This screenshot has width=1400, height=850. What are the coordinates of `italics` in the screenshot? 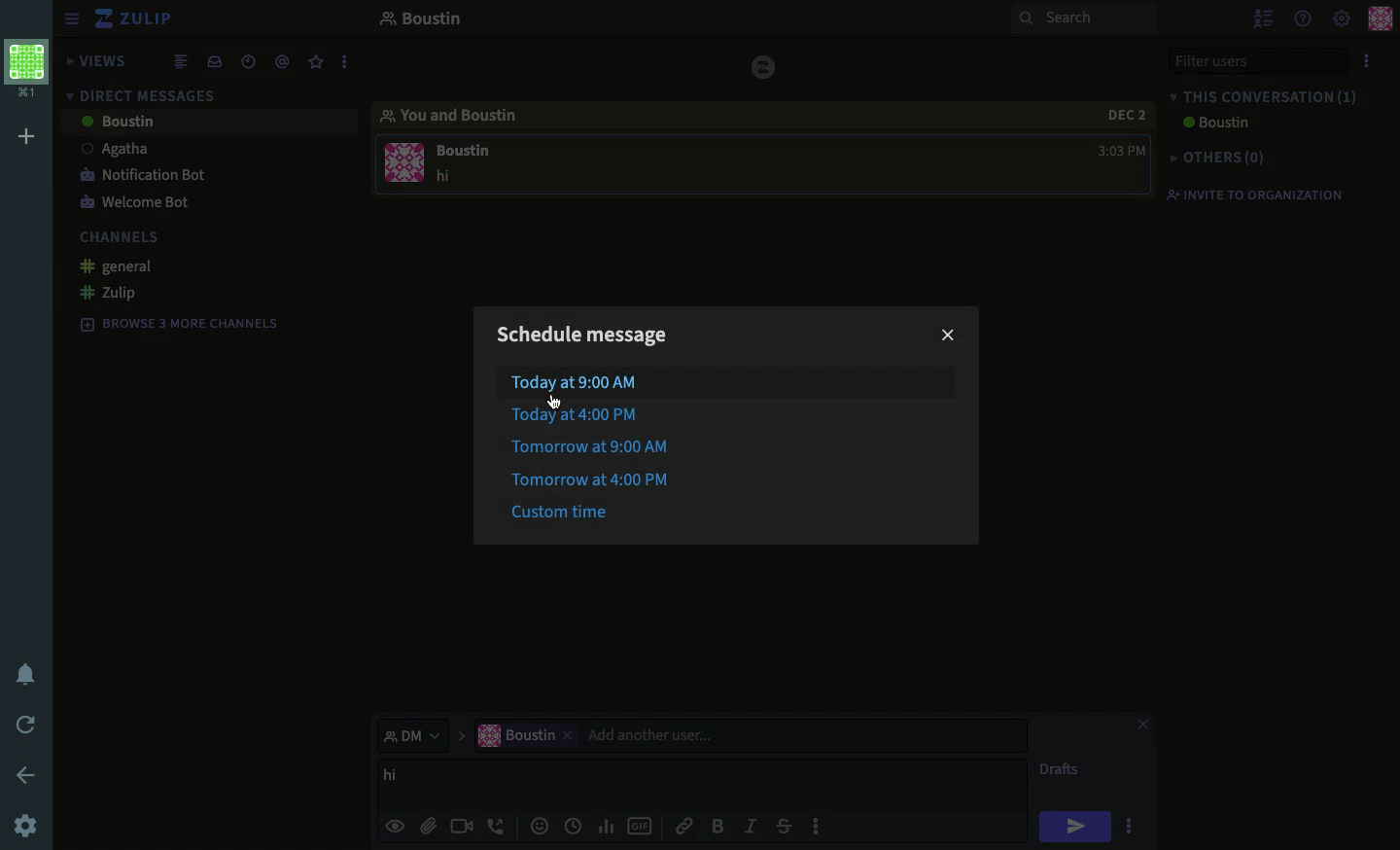 It's located at (752, 825).